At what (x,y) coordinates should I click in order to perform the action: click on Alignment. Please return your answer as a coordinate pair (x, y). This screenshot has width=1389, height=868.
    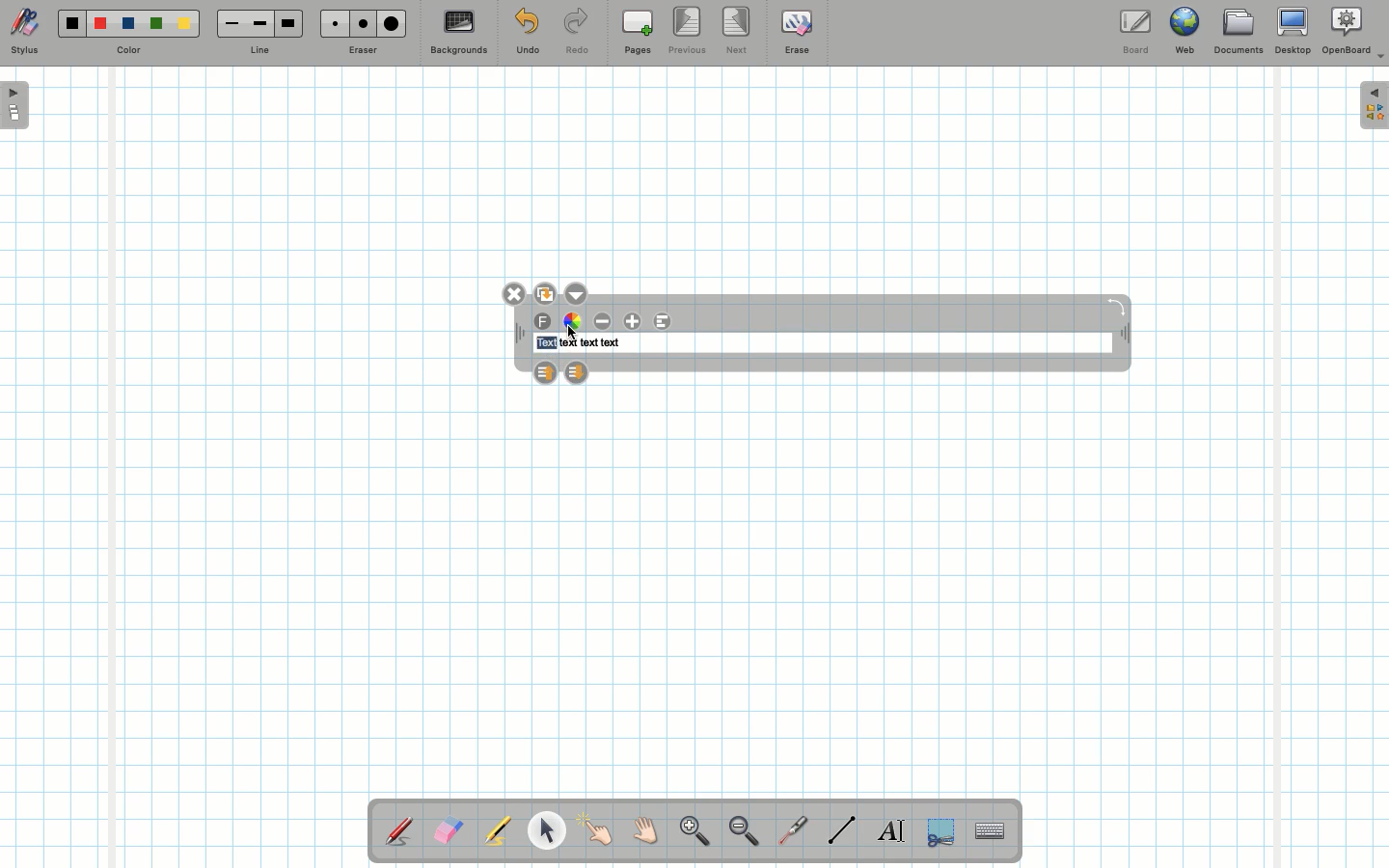
    Looking at the image, I should click on (661, 321).